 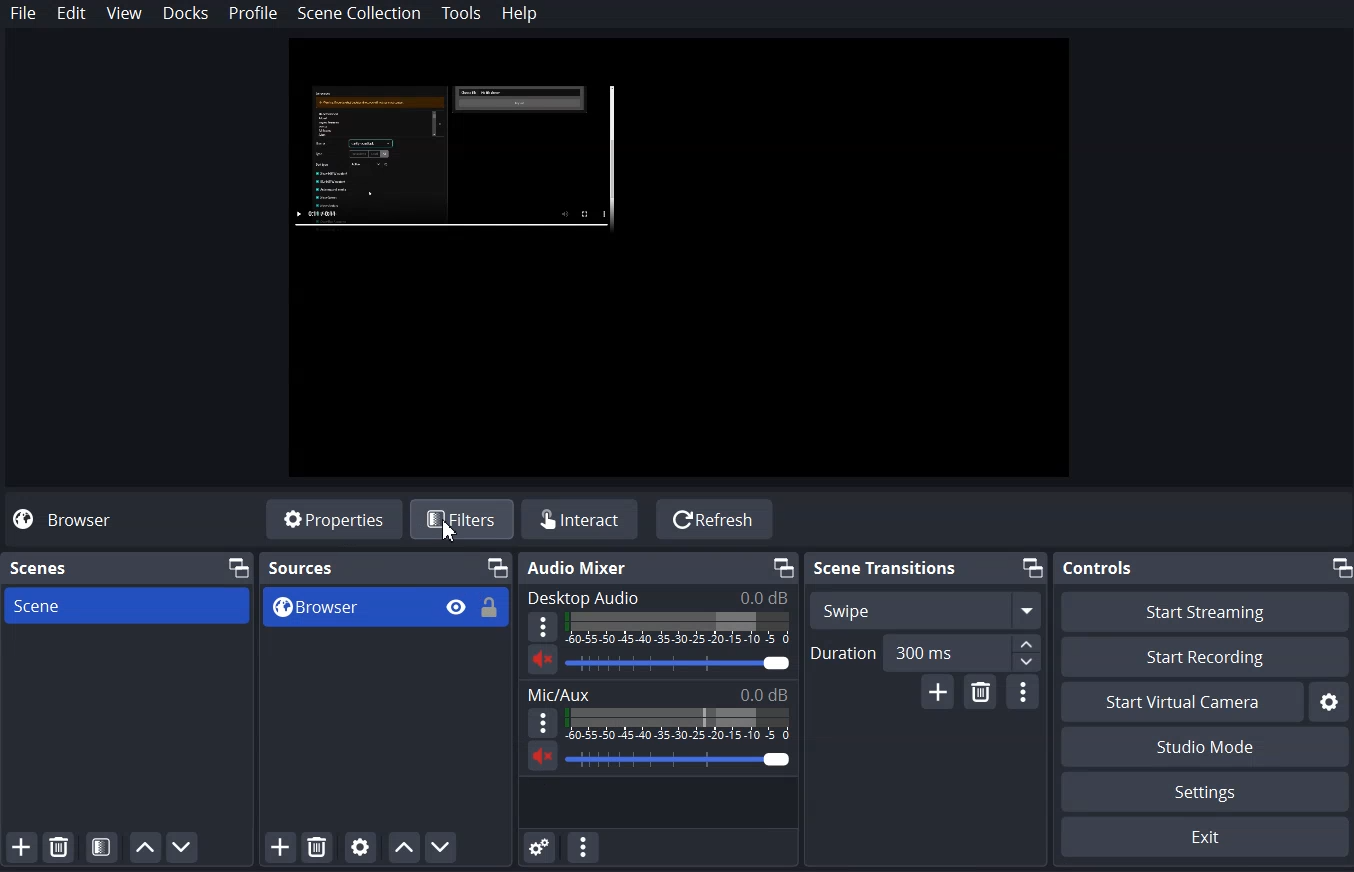 What do you see at coordinates (1340, 568) in the screenshot?
I see `Maximize` at bounding box center [1340, 568].